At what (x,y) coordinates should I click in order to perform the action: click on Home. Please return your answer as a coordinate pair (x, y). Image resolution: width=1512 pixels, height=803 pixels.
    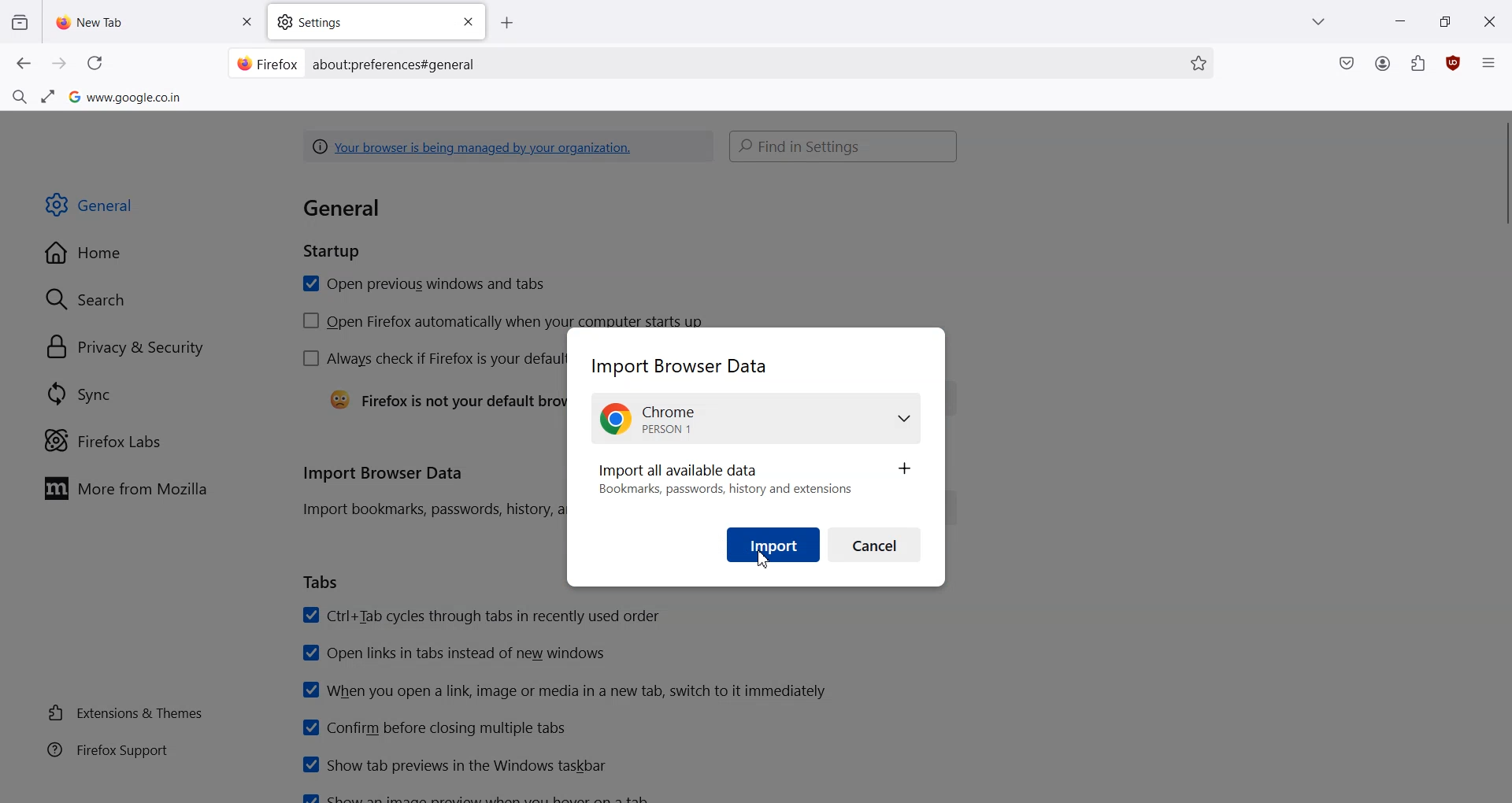
    Looking at the image, I should click on (87, 253).